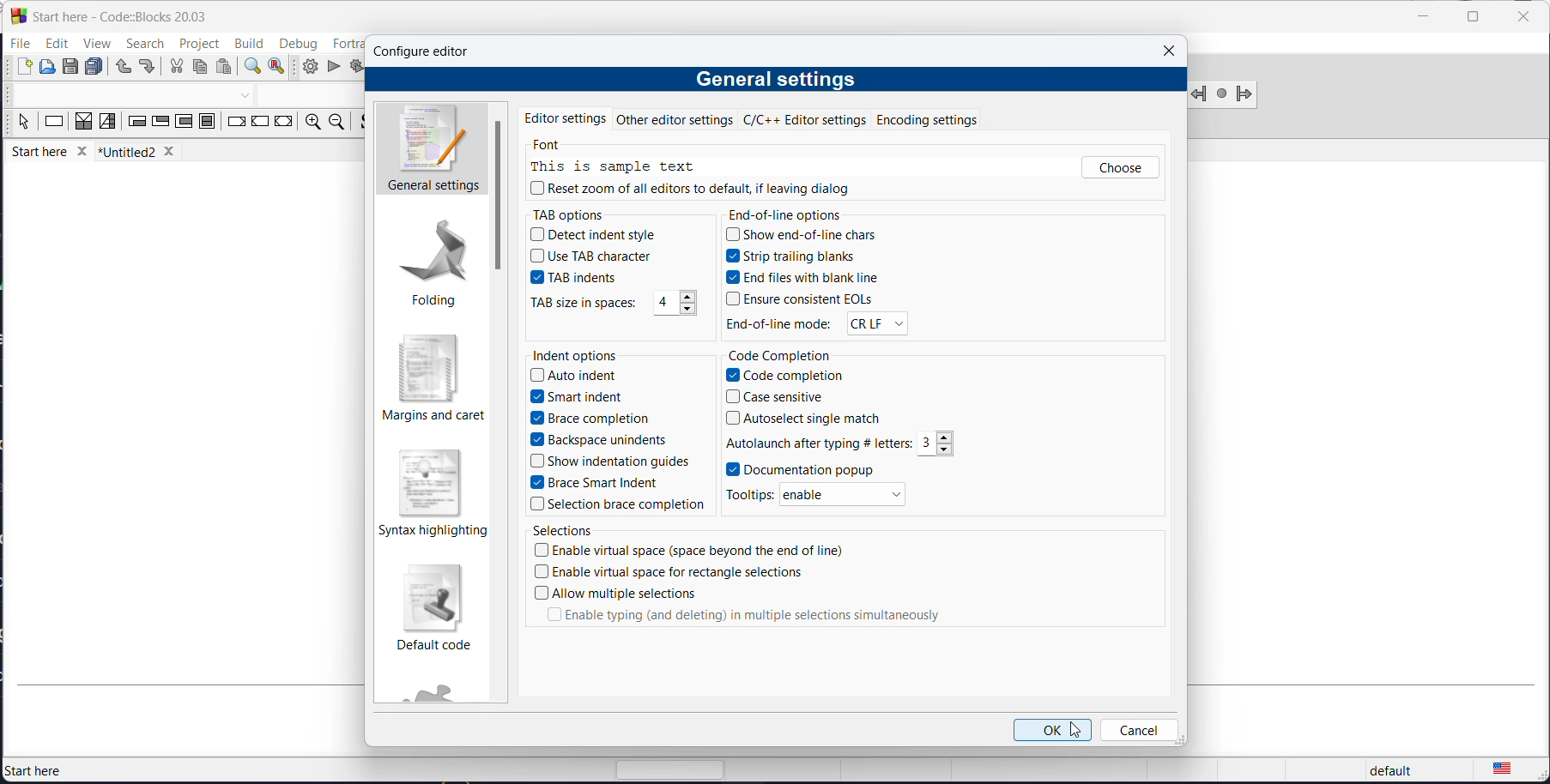 The width and height of the screenshot is (1550, 784). I want to click on paste, so click(227, 68).